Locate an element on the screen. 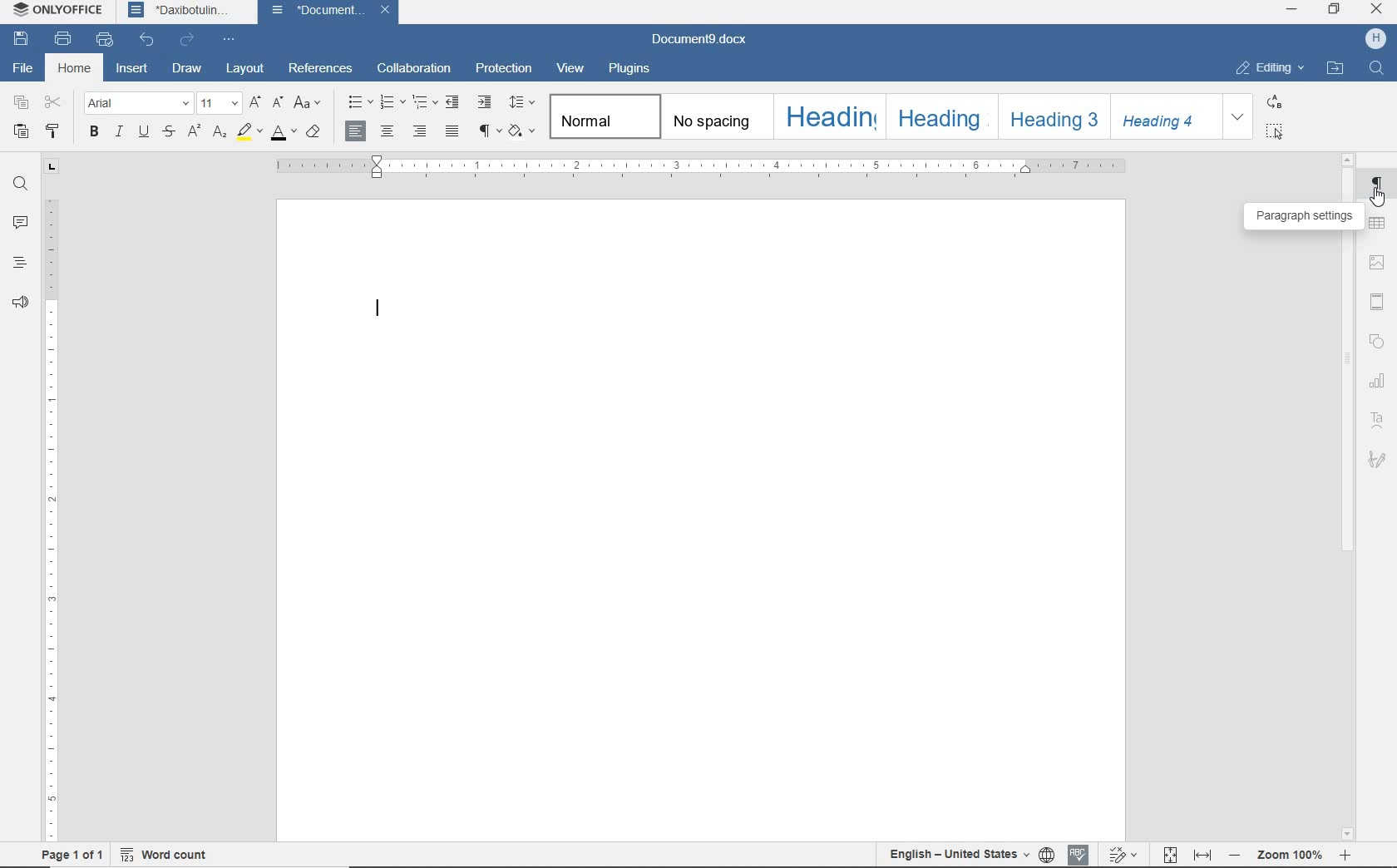 This screenshot has height=868, width=1397. find is located at coordinates (20, 185).